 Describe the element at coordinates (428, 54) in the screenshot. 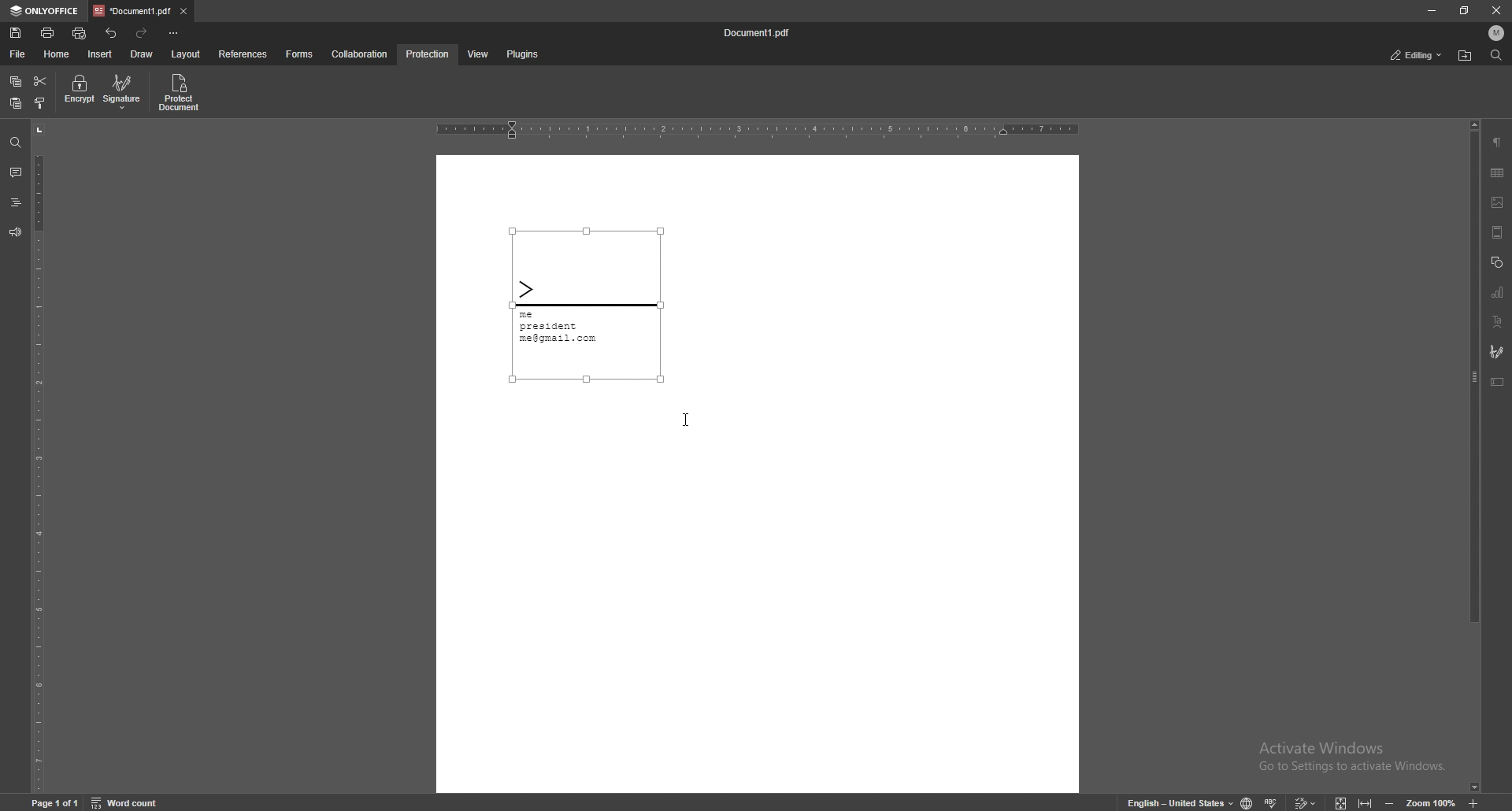

I see `protection` at that location.